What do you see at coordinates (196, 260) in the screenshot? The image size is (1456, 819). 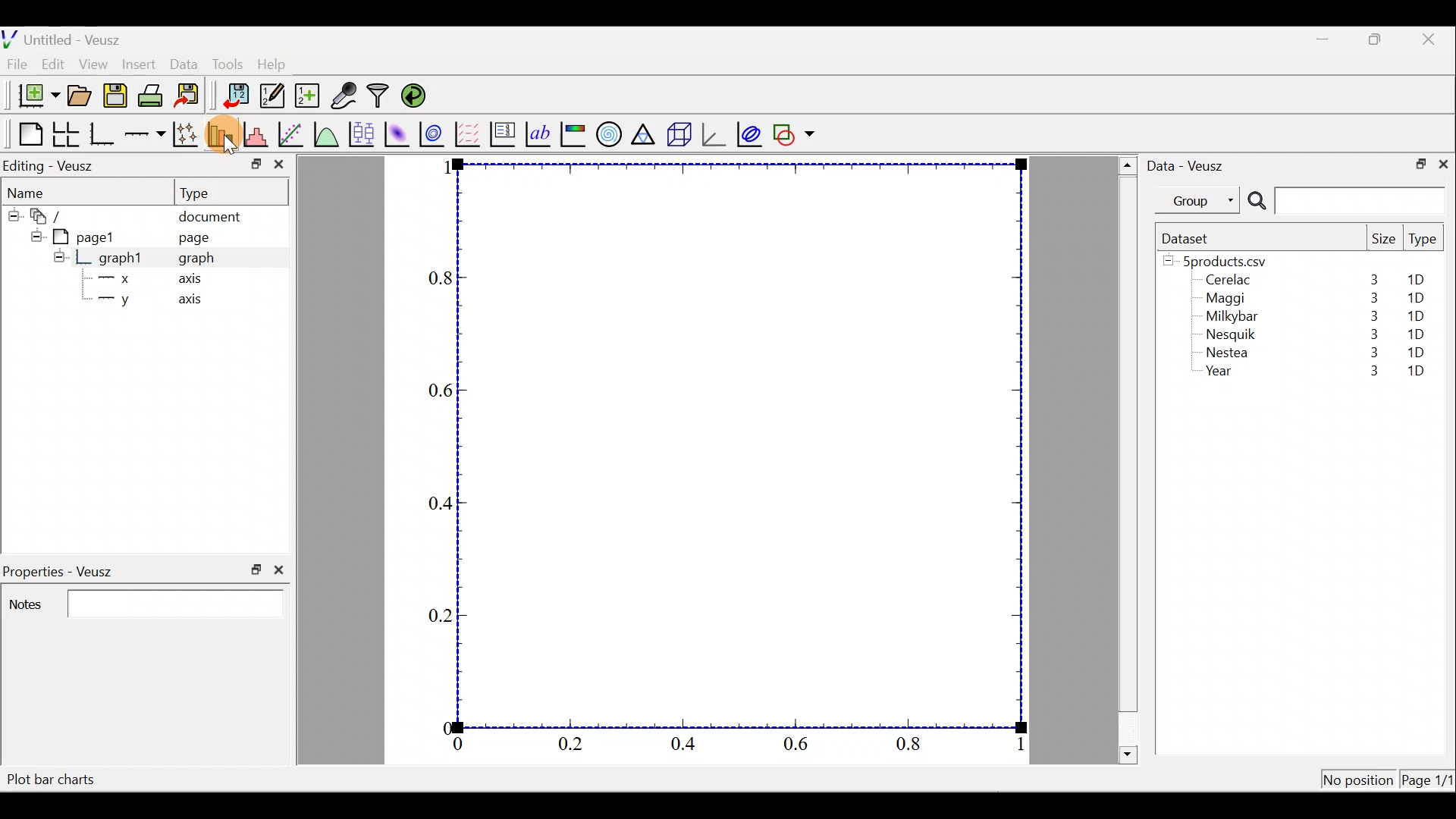 I see `graph` at bounding box center [196, 260].